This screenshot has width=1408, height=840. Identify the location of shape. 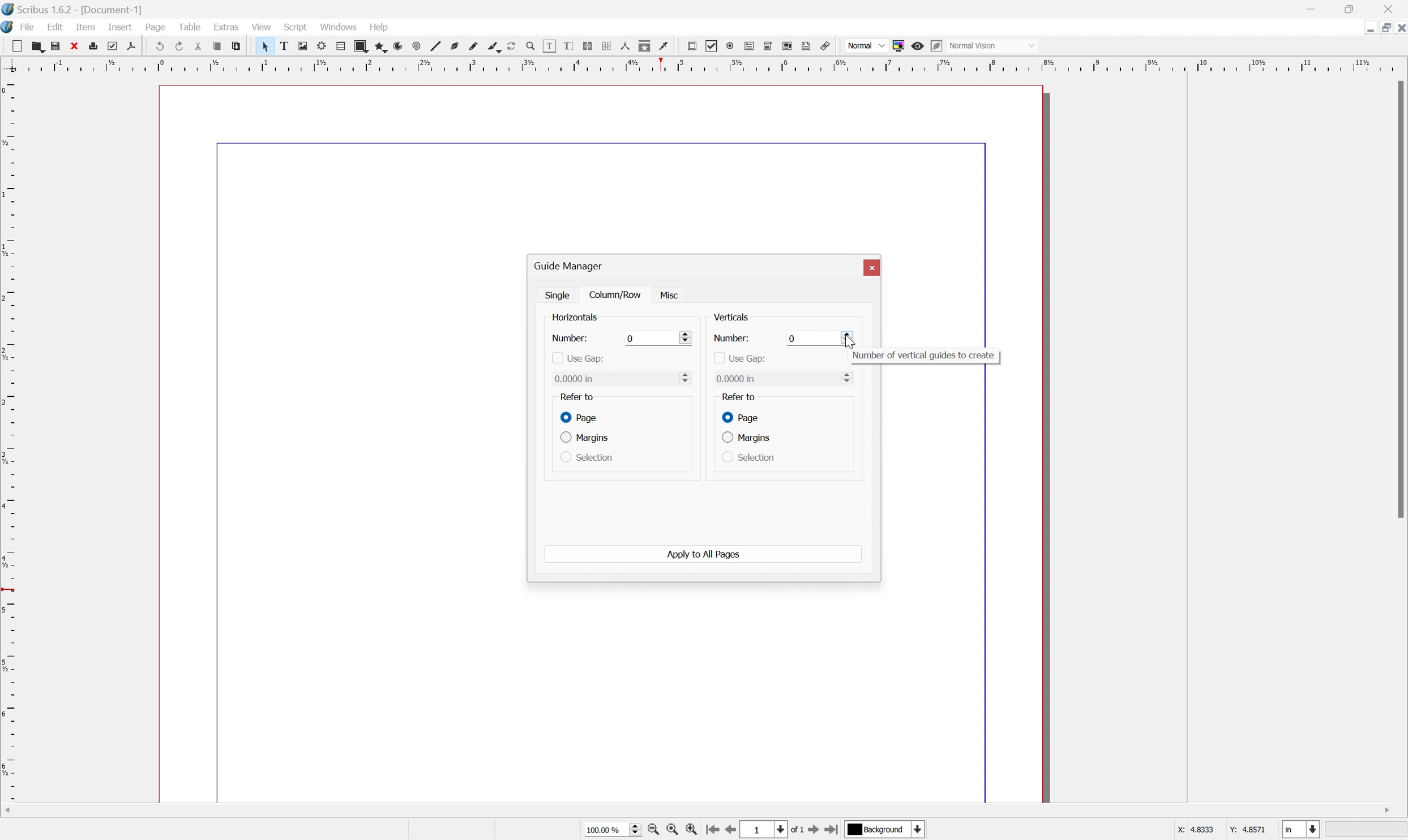
(361, 47).